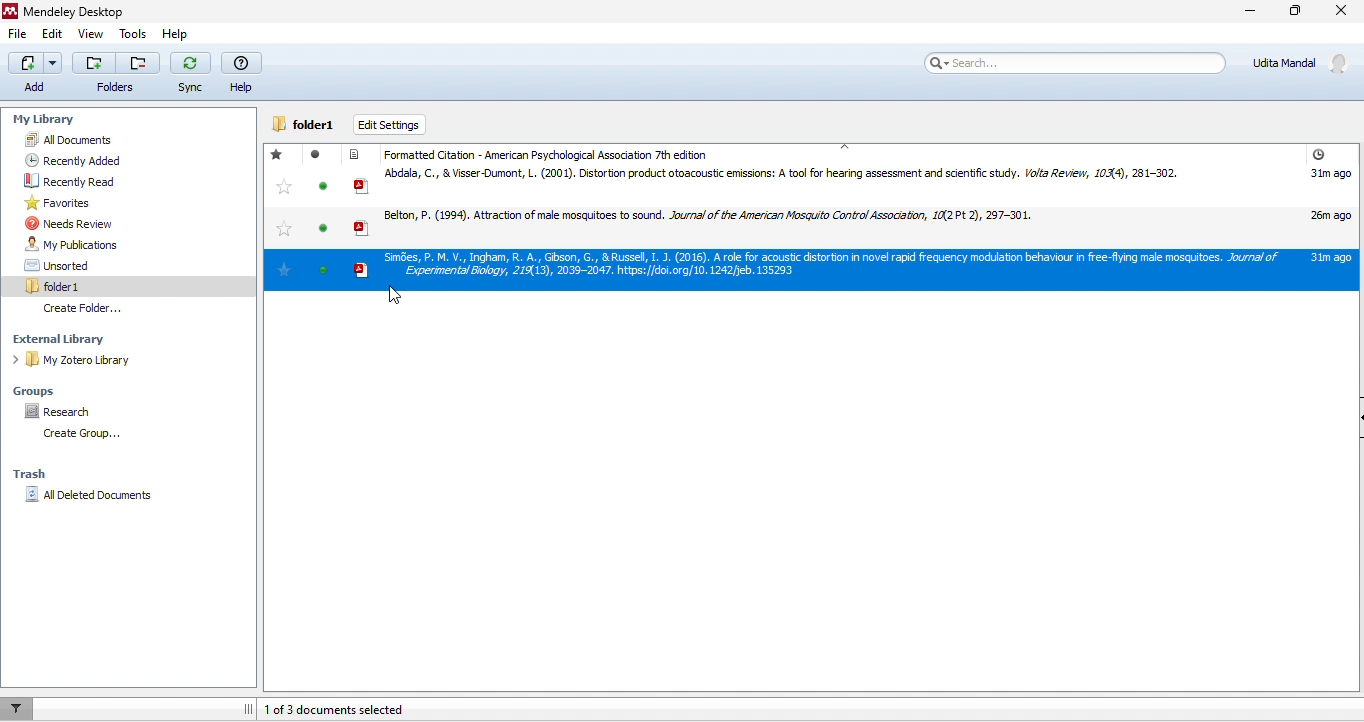 This screenshot has width=1364, height=722. What do you see at coordinates (78, 284) in the screenshot?
I see `folder1` at bounding box center [78, 284].